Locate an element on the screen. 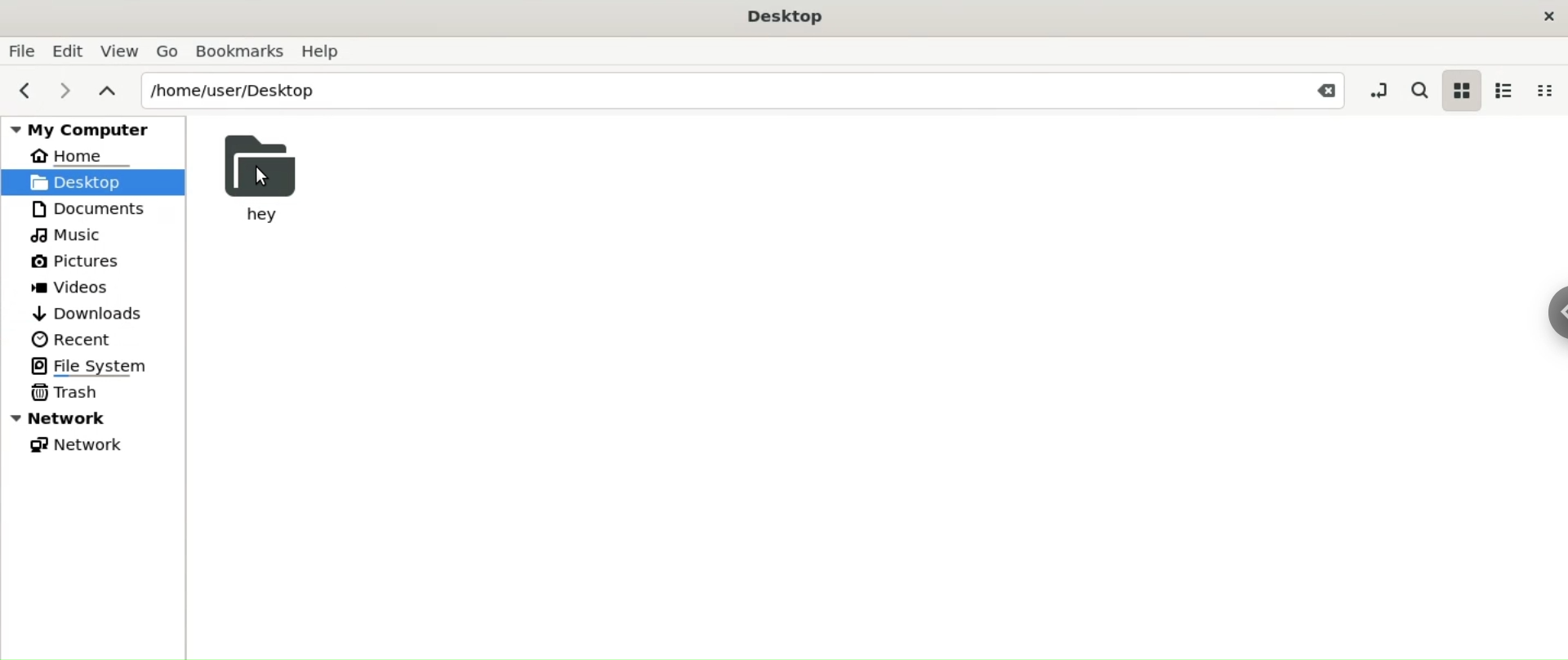 This screenshot has height=660, width=1568. /home/user/Desktop is located at coordinates (704, 91).